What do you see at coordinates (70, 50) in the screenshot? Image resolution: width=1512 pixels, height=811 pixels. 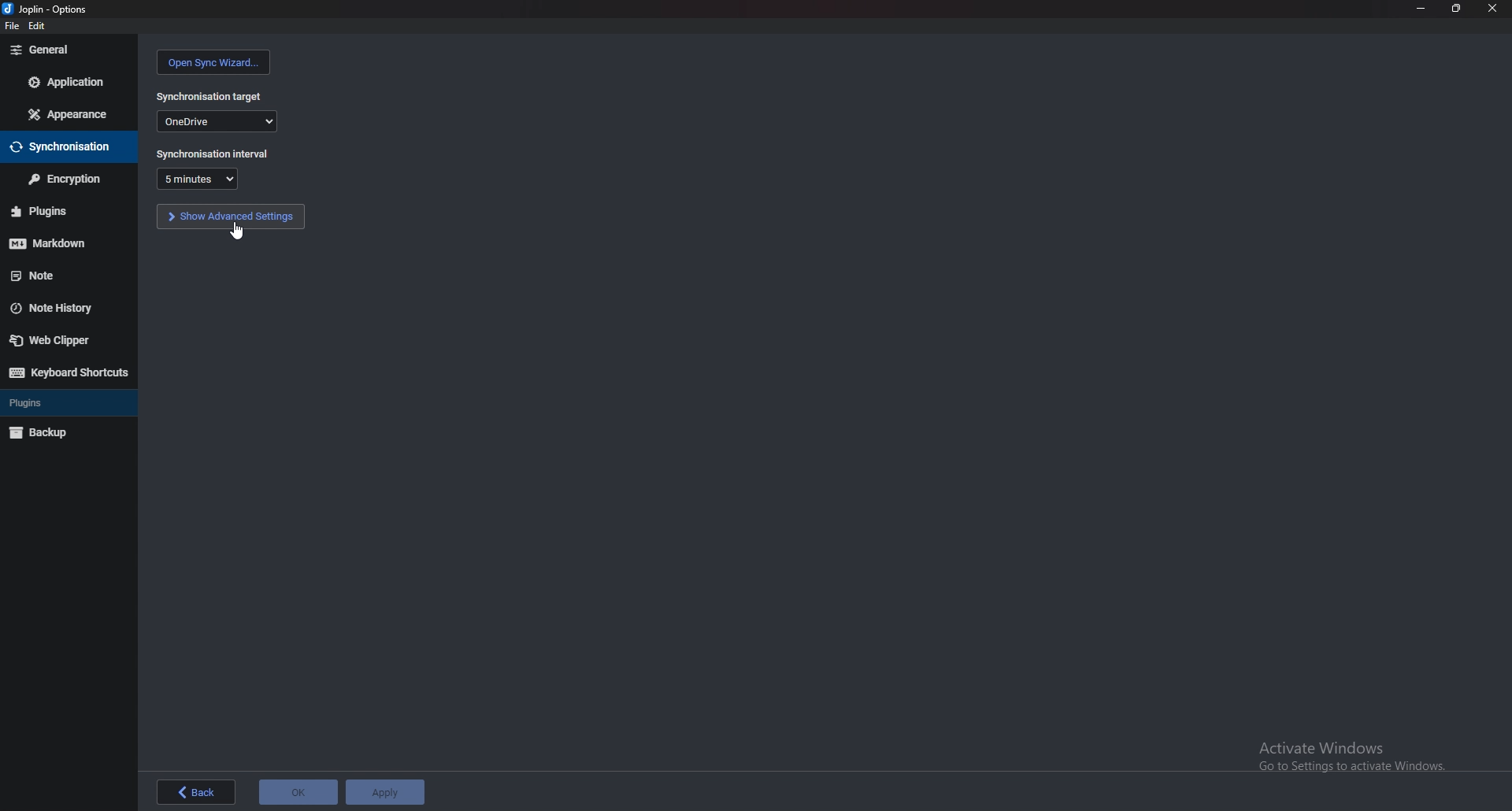 I see `general` at bounding box center [70, 50].